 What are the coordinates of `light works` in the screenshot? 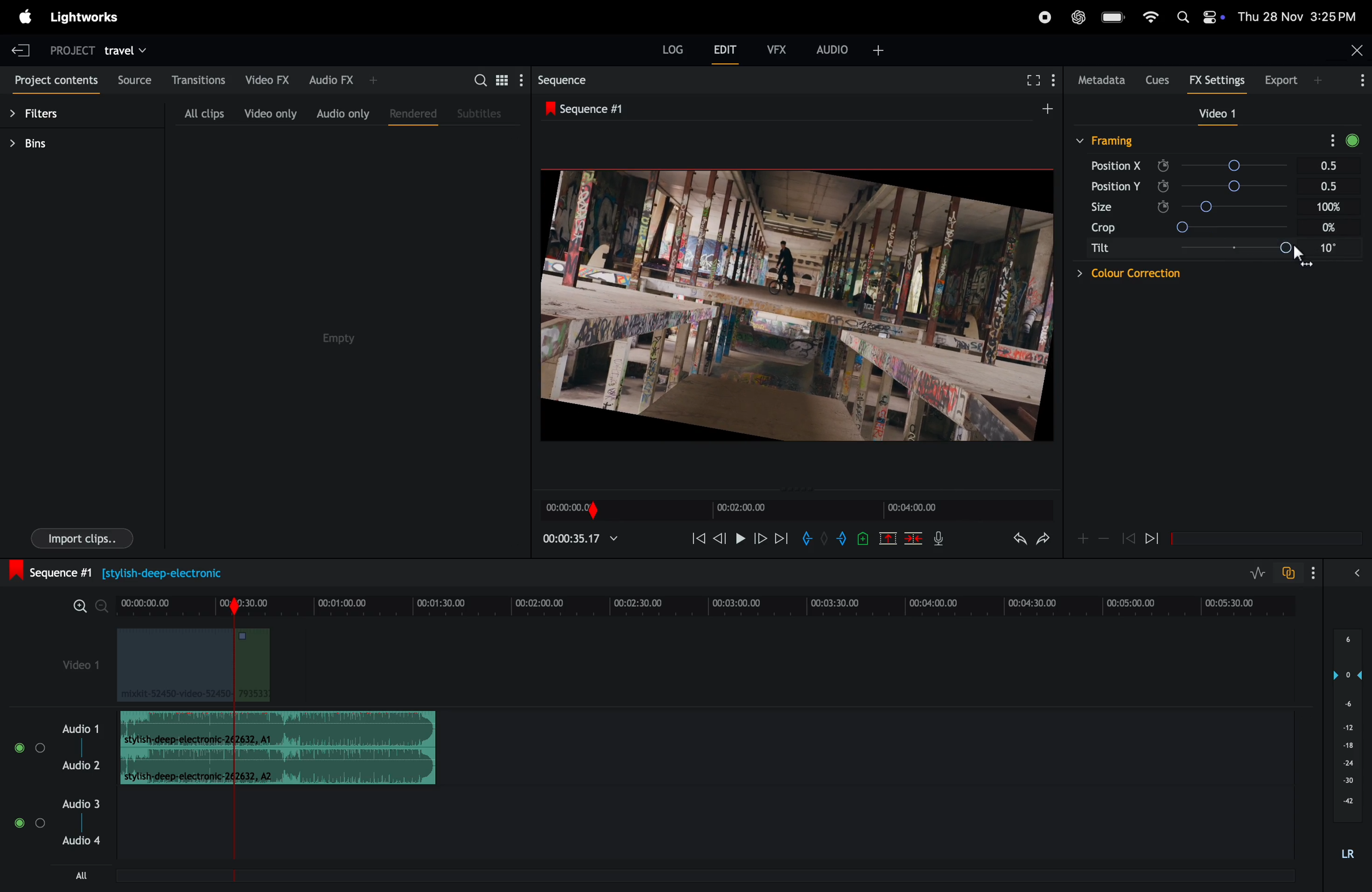 It's located at (25, 16).